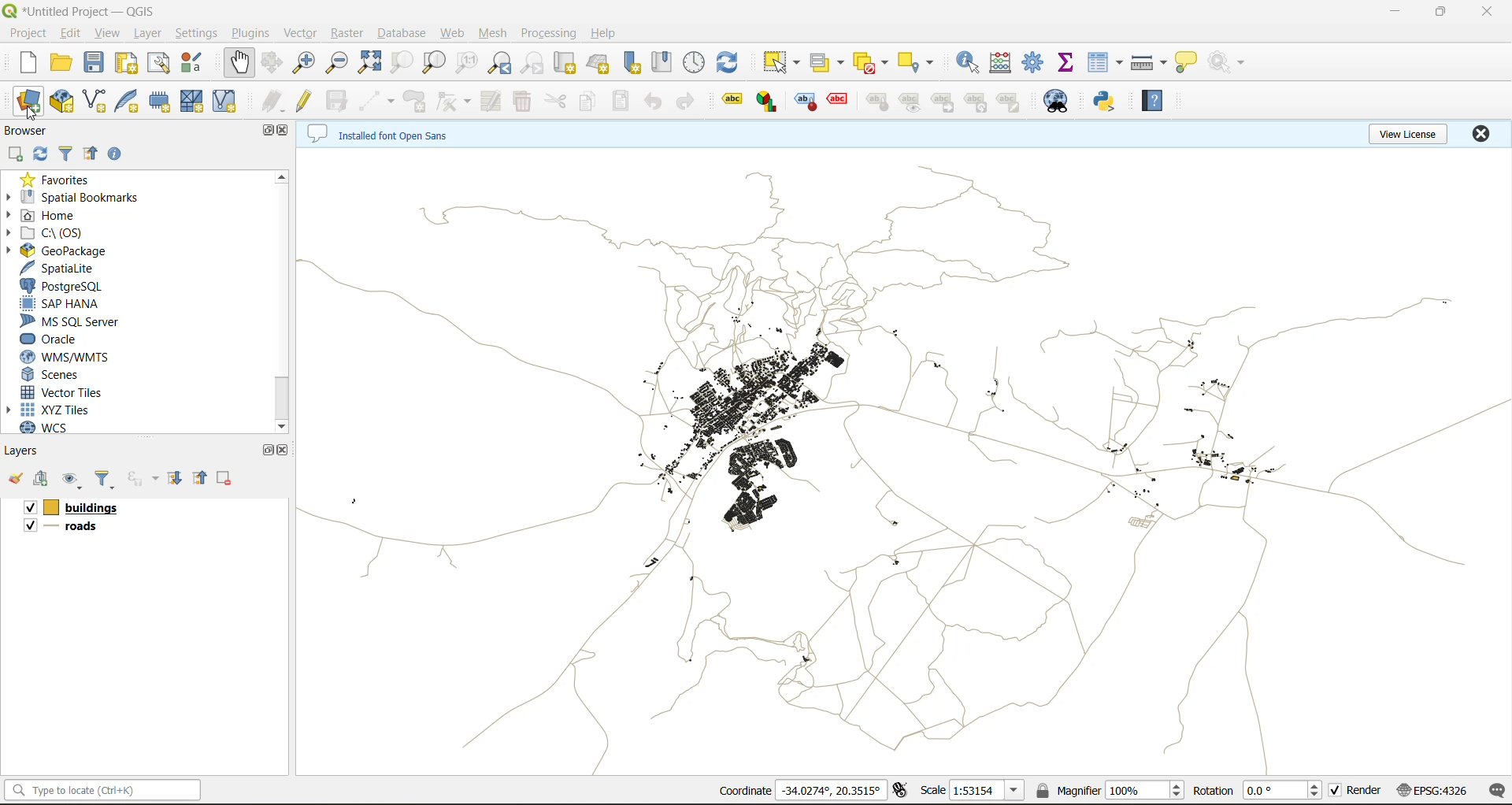 The width and height of the screenshot is (1512, 805). Describe the element at coordinates (1106, 64) in the screenshot. I see `attributes table` at that location.